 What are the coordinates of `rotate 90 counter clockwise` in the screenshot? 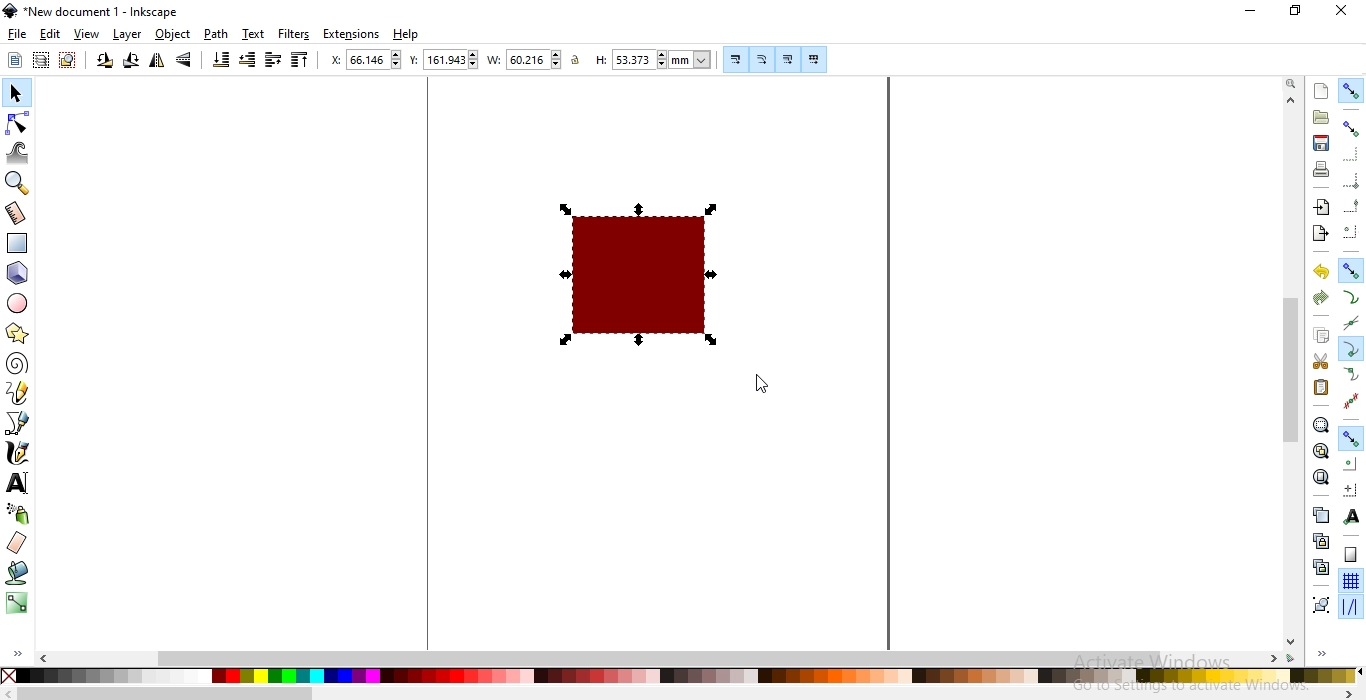 It's located at (103, 62).